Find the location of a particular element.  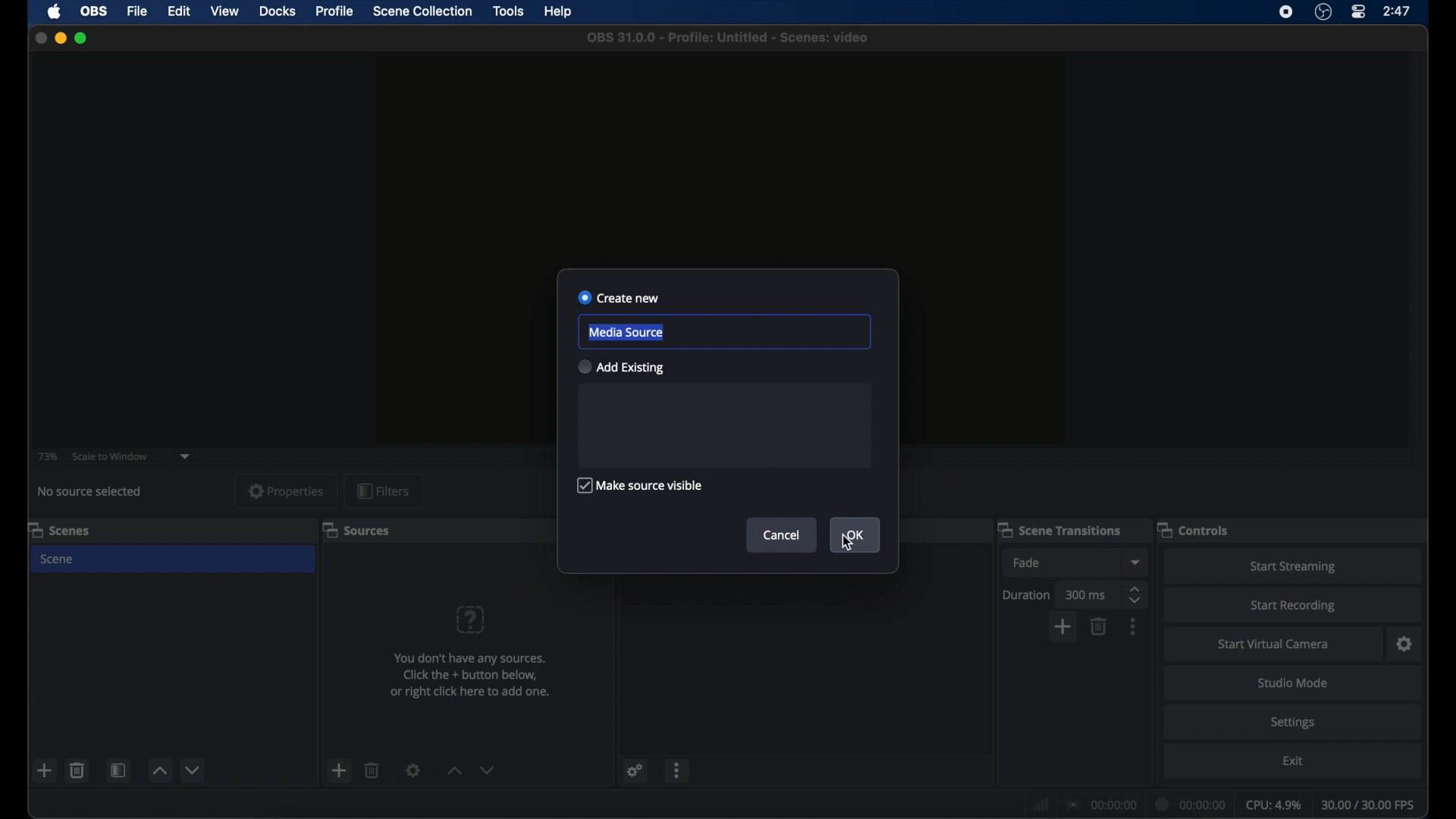

screen recorder icon is located at coordinates (1286, 12).